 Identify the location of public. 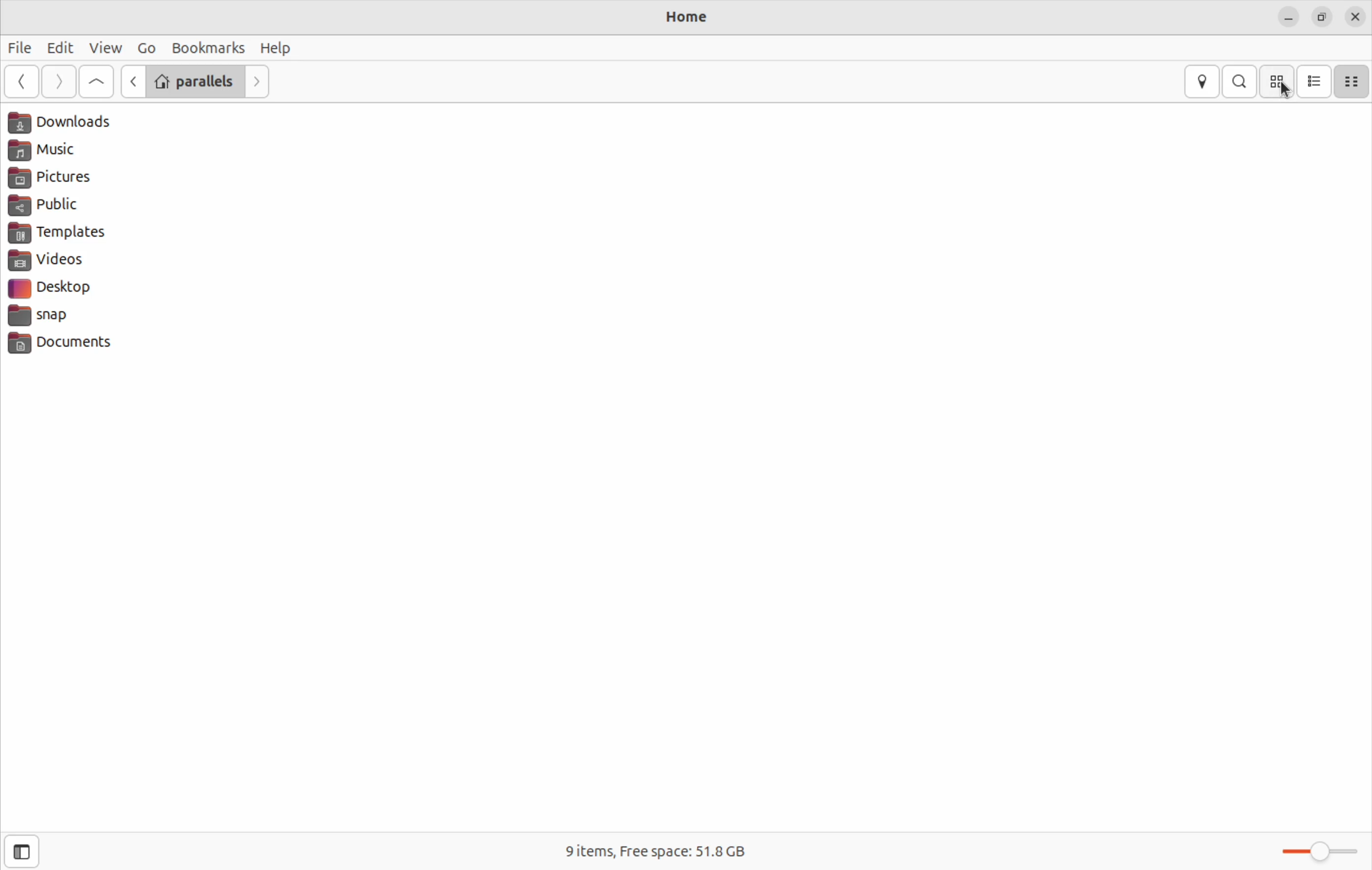
(59, 207).